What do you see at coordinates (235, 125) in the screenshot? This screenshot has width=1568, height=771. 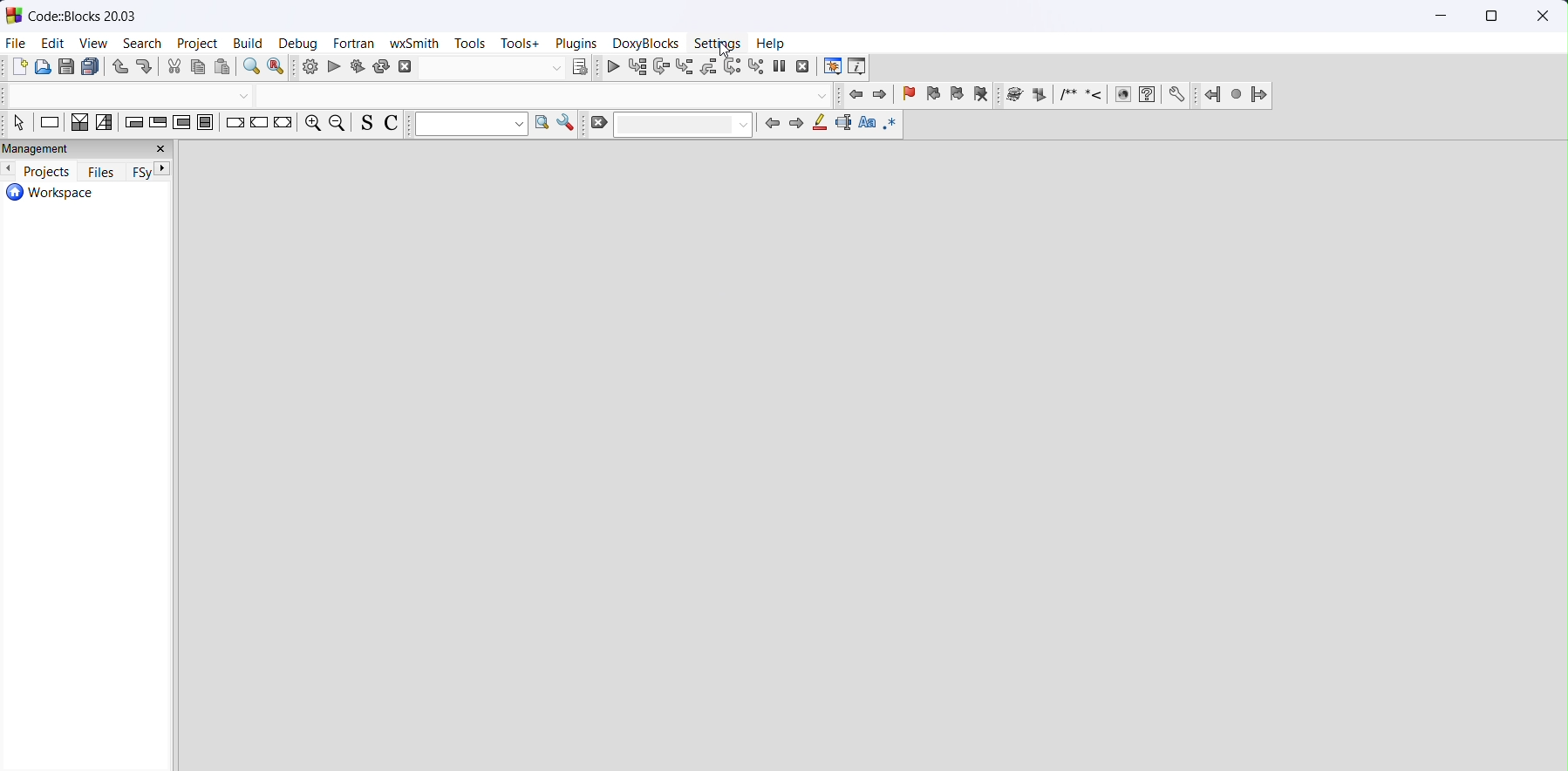 I see `break instruction ` at bounding box center [235, 125].